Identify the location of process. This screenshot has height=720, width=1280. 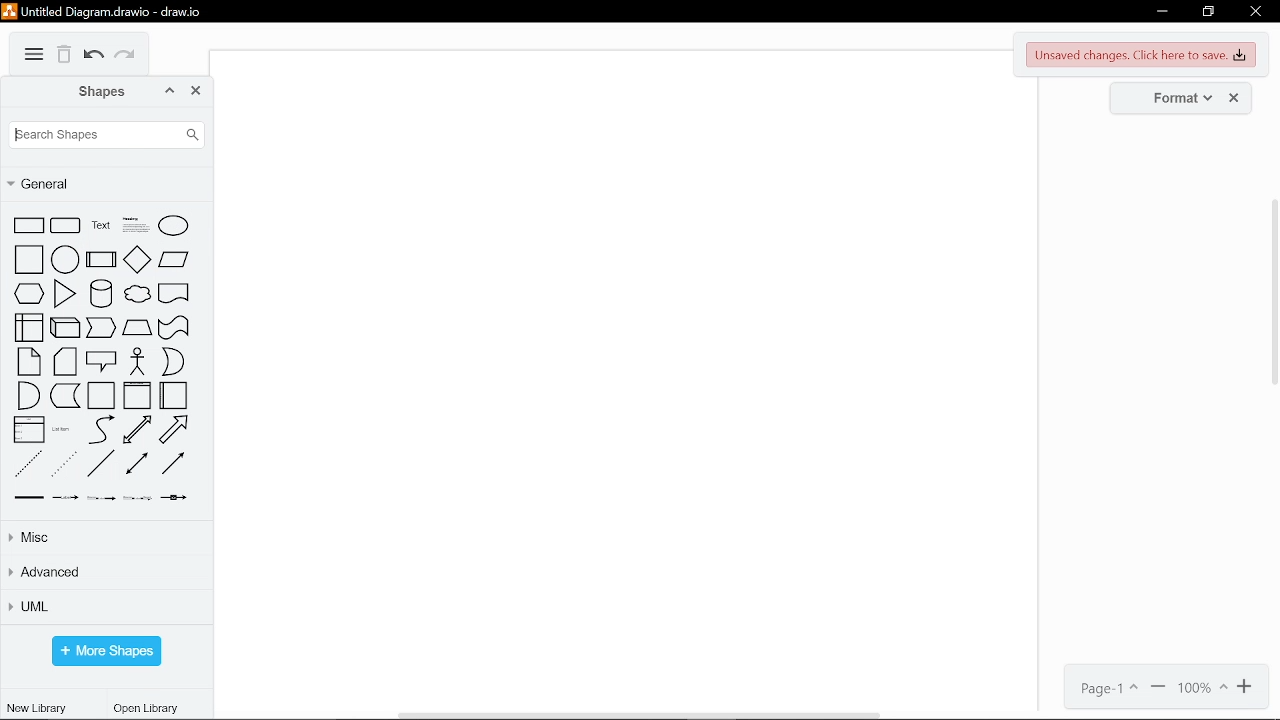
(100, 260).